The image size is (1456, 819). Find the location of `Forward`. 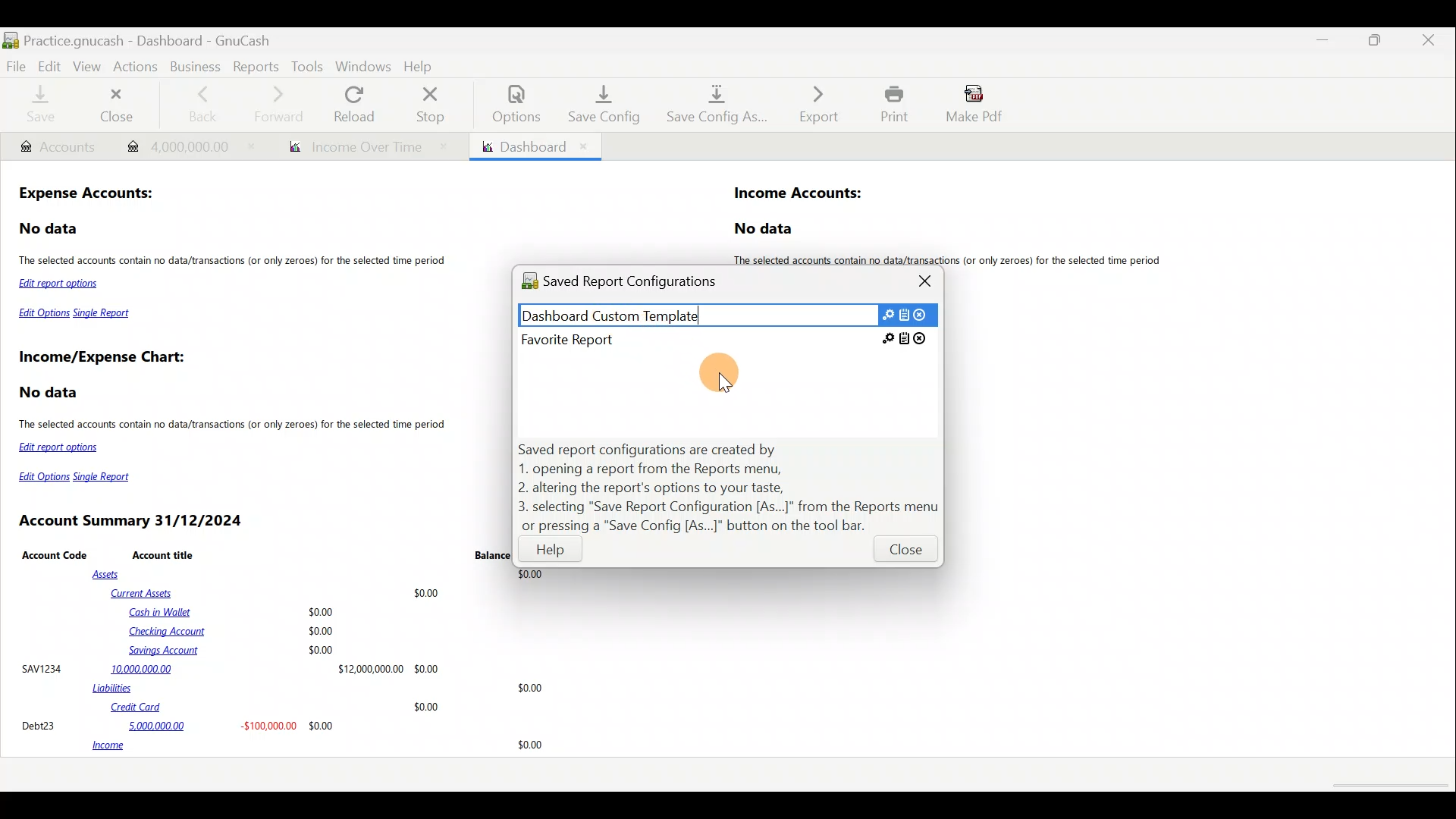

Forward is located at coordinates (284, 104).